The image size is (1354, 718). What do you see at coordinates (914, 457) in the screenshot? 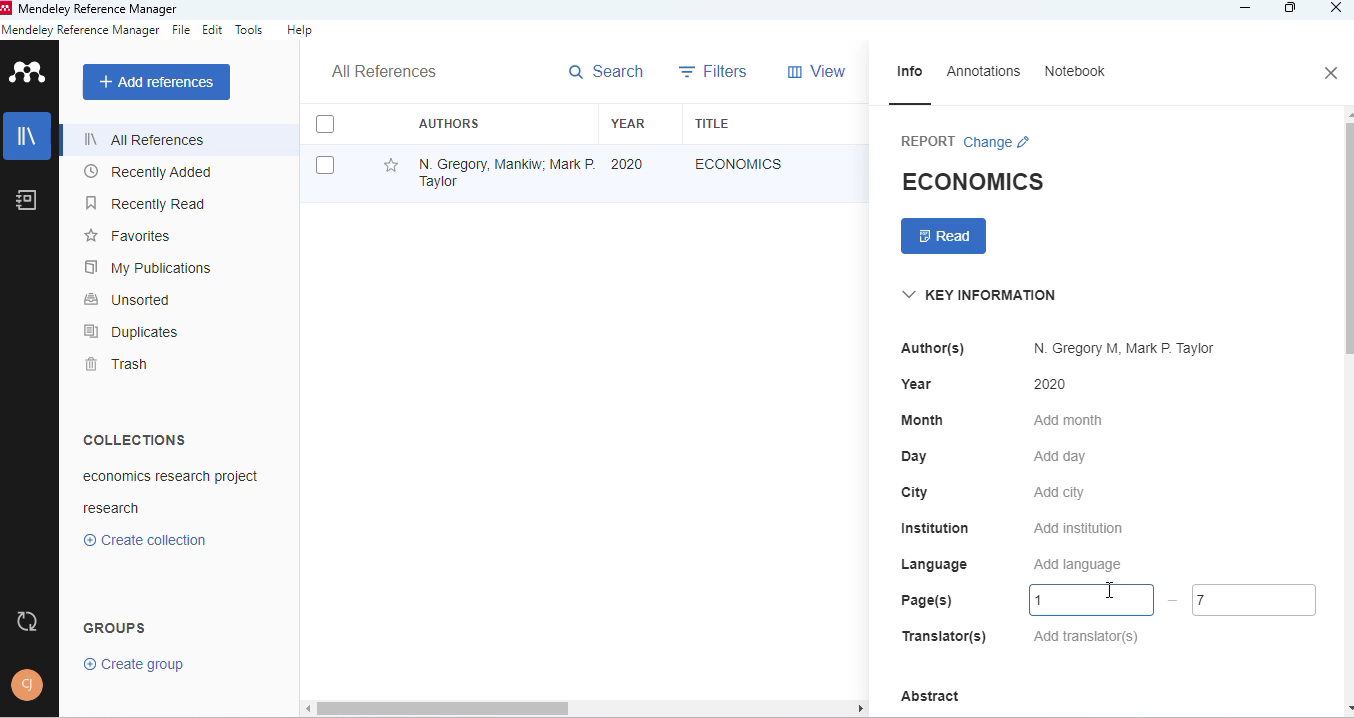
I see `day` at bounding box center [914, 457].